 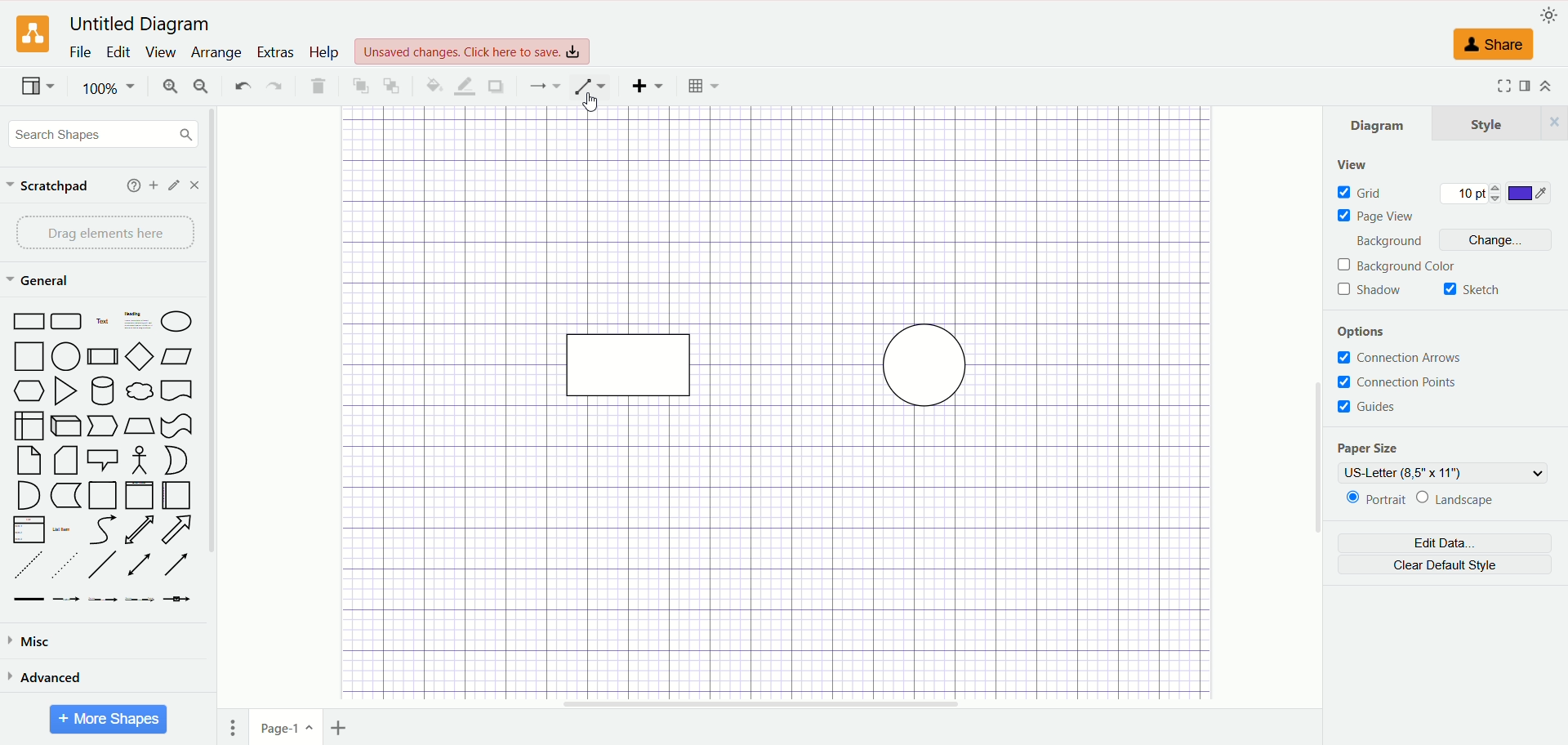 I want to click on List Item, so click(x=64, y=530).